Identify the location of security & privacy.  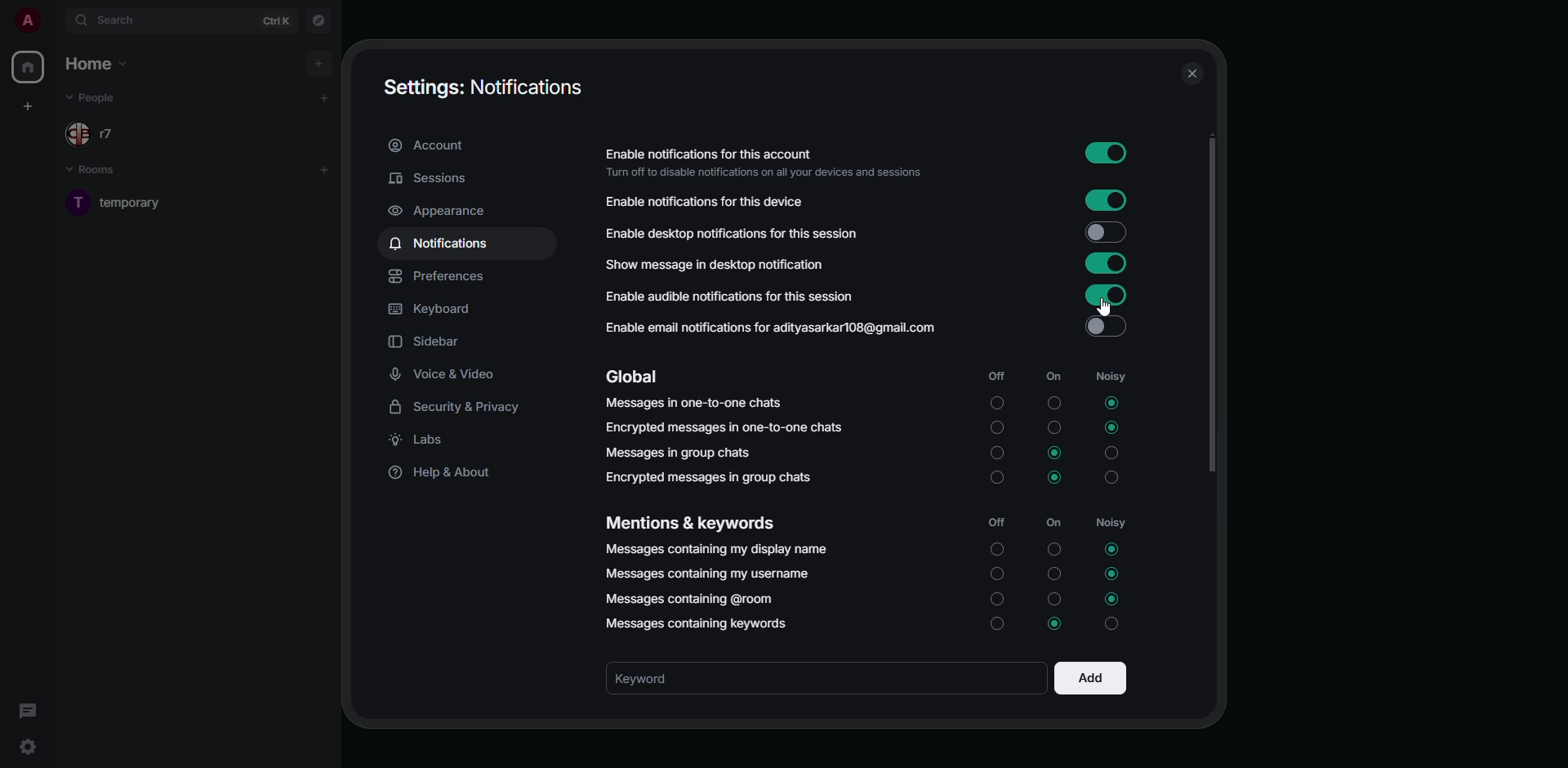
(461, 405).